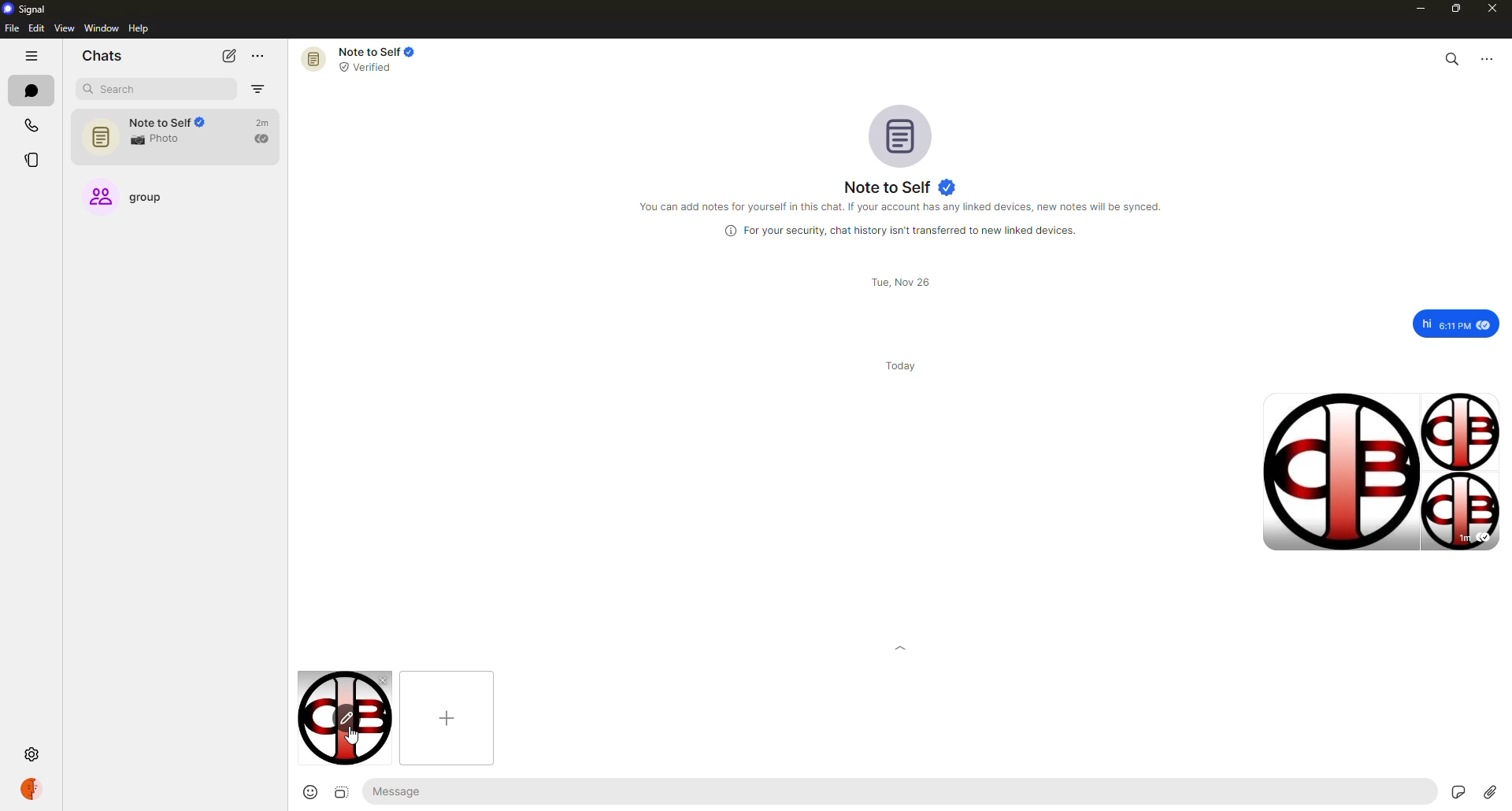 The height and width of the screenshot is (811, 1512). Describe the element at coordinates (260, 56) in the screenshot. I see `more` at that location.